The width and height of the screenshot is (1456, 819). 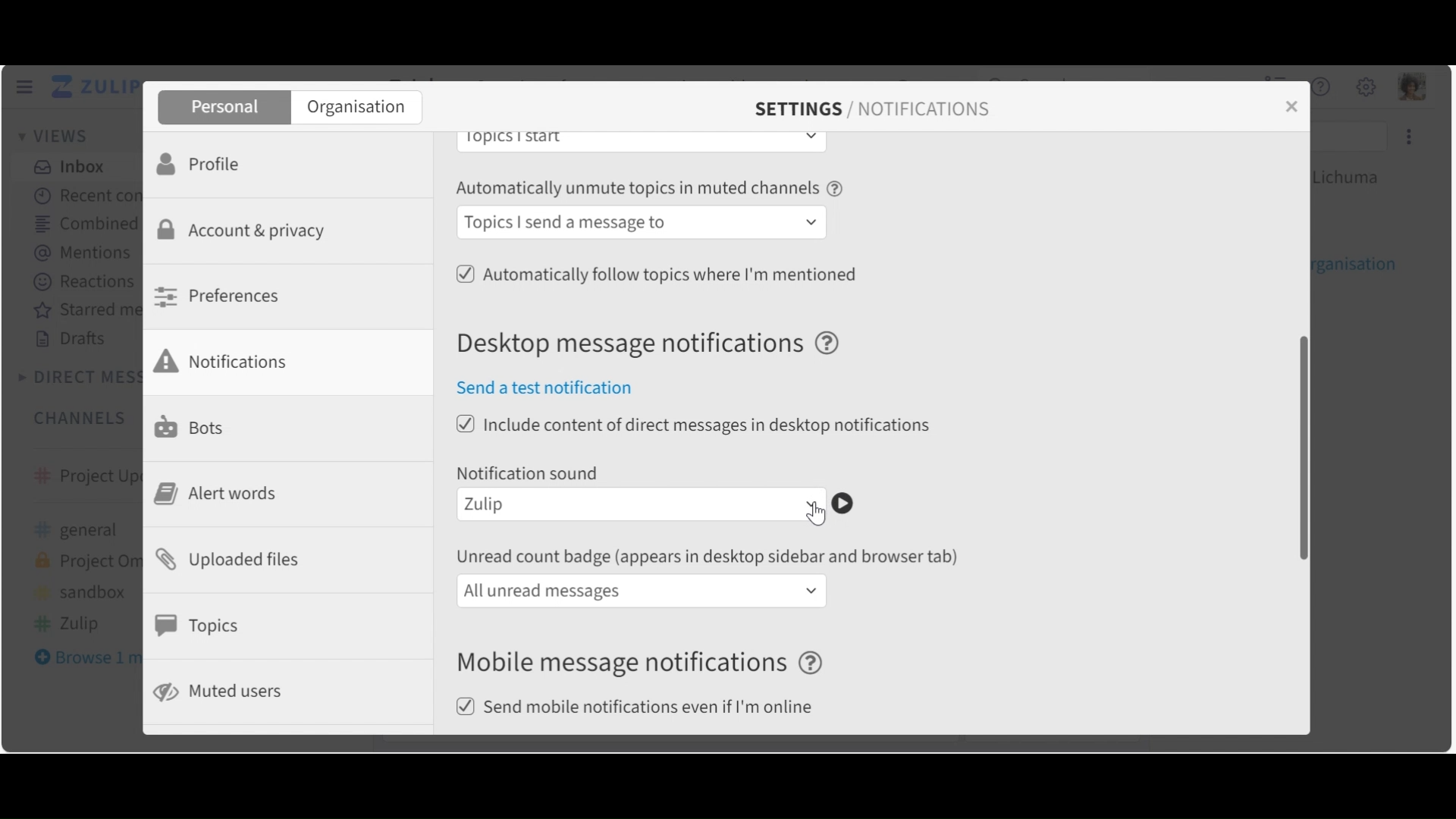 What do you see at coordinates (816, 513) in the screenshot?
I see `Cursor` at bounding box center [816, 513].